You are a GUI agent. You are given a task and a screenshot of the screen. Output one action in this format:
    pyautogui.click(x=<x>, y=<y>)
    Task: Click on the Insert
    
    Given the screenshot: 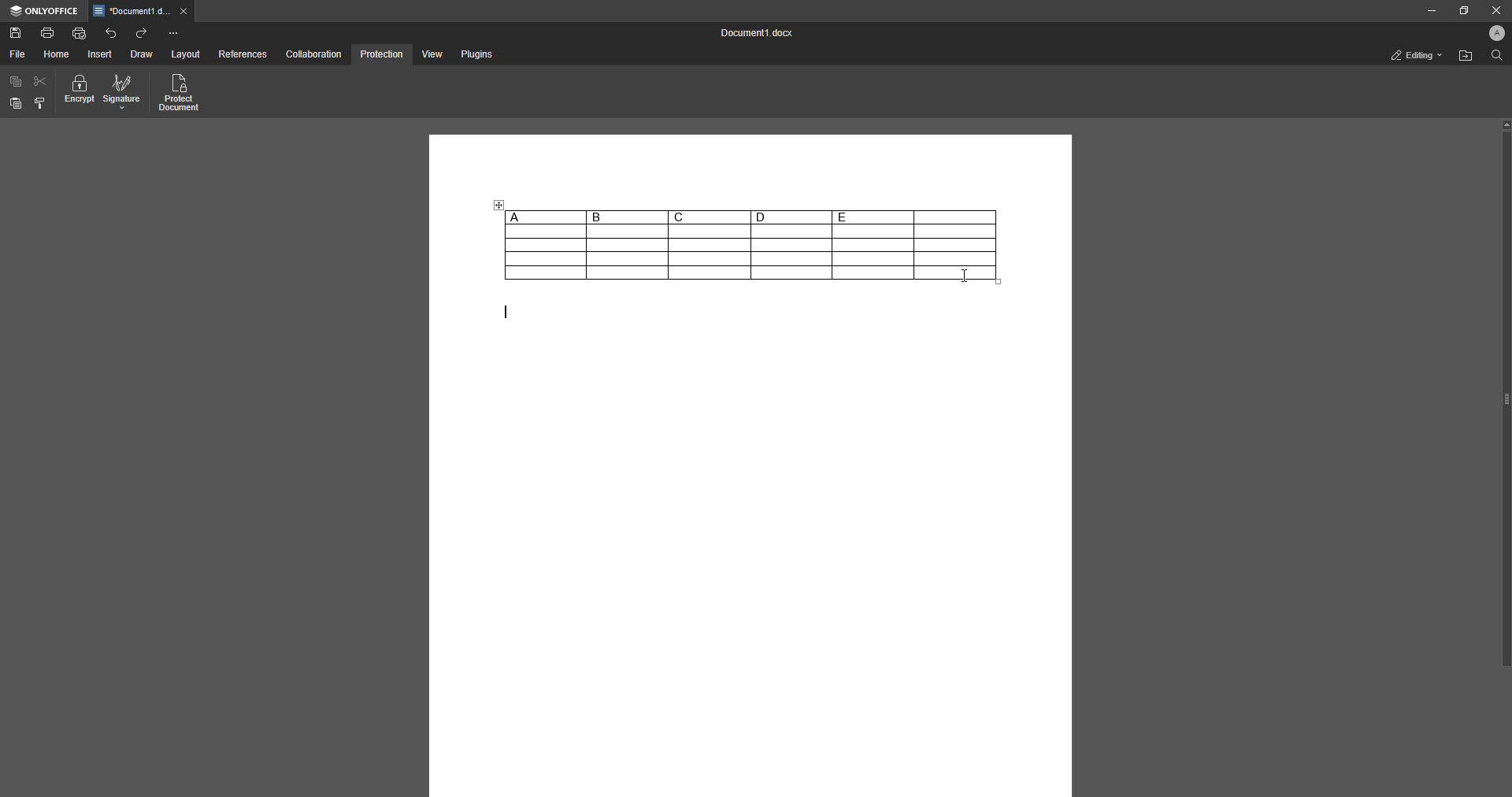 What is the action you would take?
    pyautogui.click(x=101, y=54)
    